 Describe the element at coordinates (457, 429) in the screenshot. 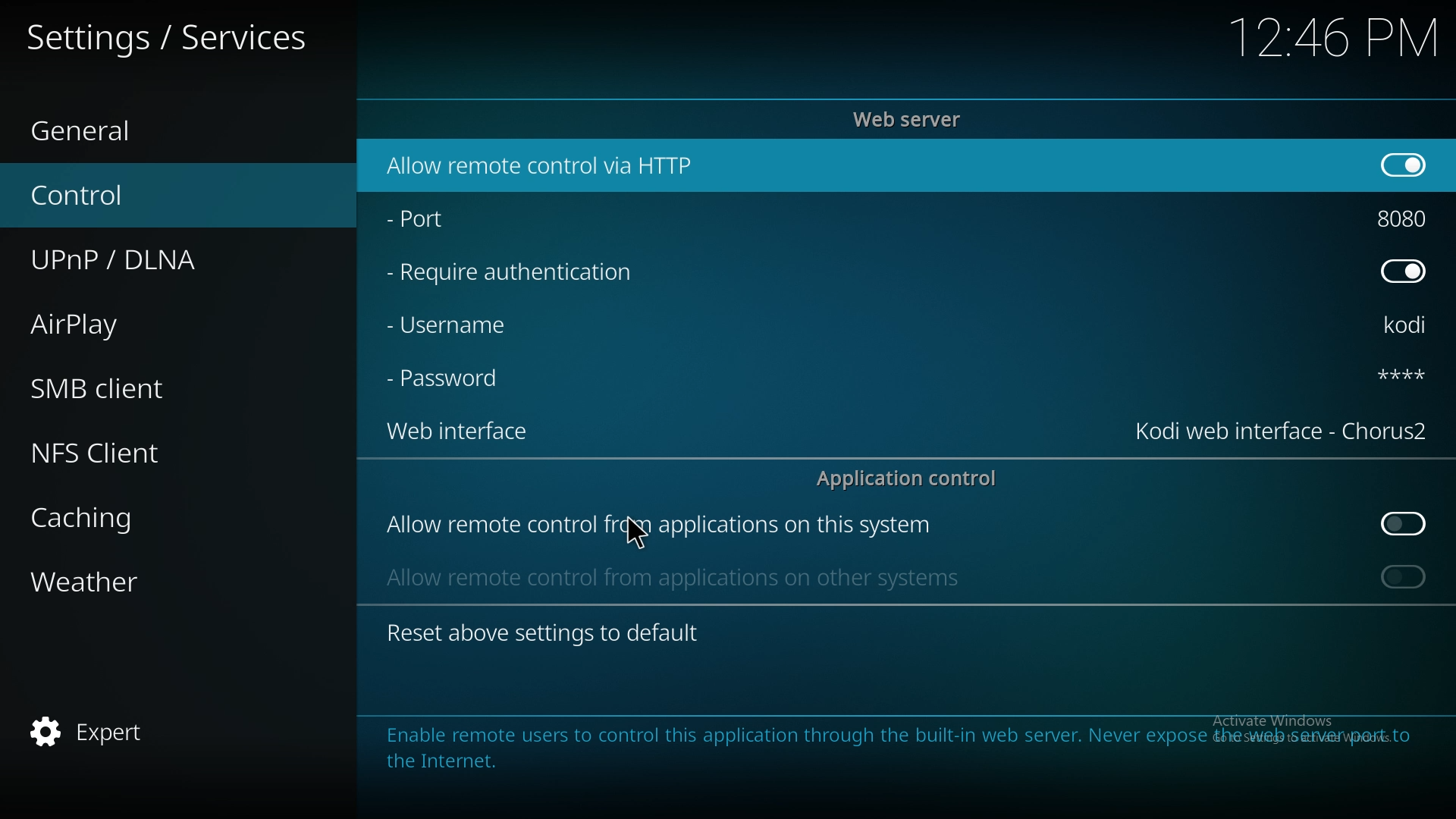

I see `web interface` at that location.